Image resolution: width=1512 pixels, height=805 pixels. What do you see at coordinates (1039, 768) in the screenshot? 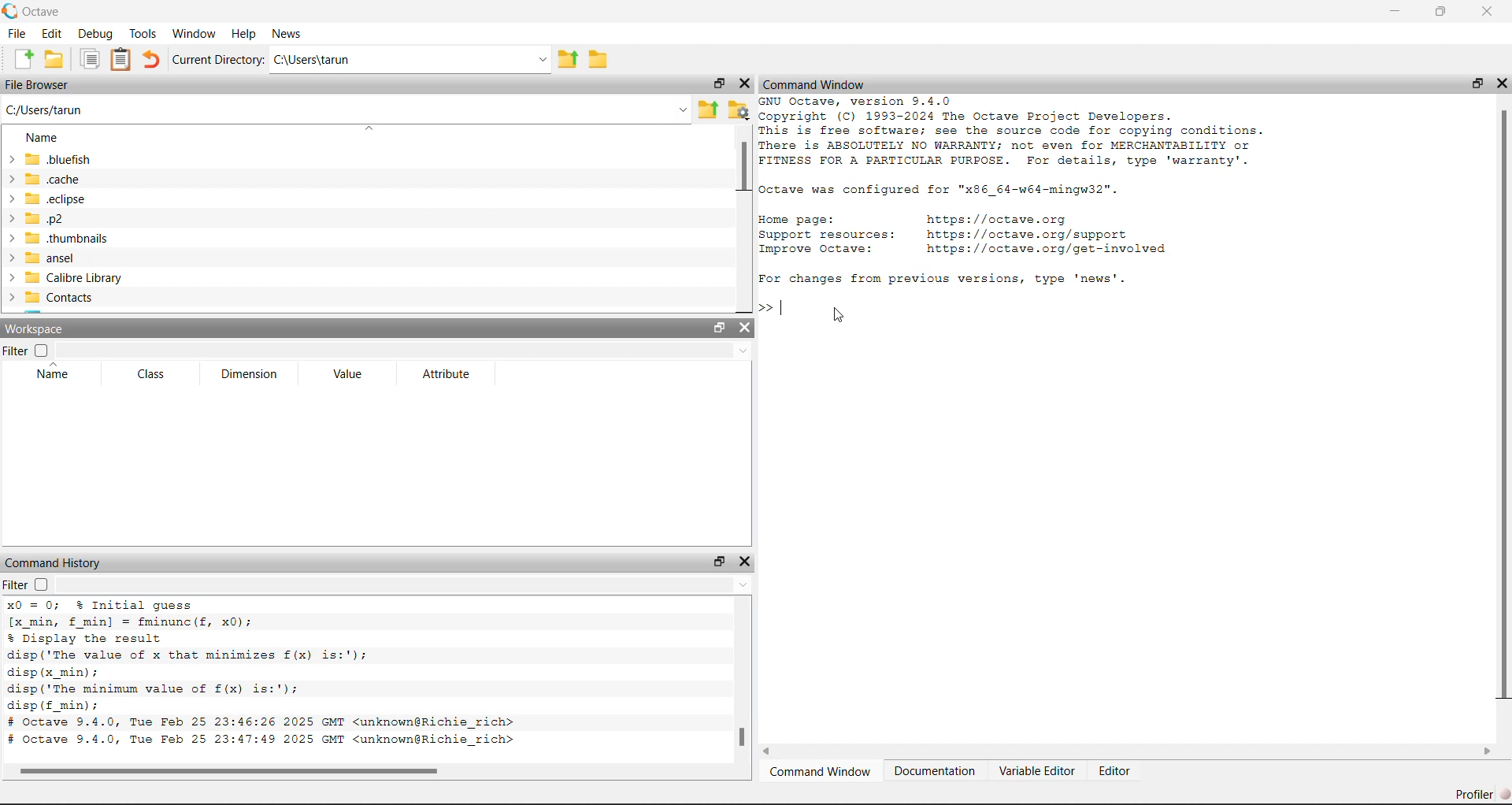
I see `Variable Editor` at bounding box center [1039, 768].